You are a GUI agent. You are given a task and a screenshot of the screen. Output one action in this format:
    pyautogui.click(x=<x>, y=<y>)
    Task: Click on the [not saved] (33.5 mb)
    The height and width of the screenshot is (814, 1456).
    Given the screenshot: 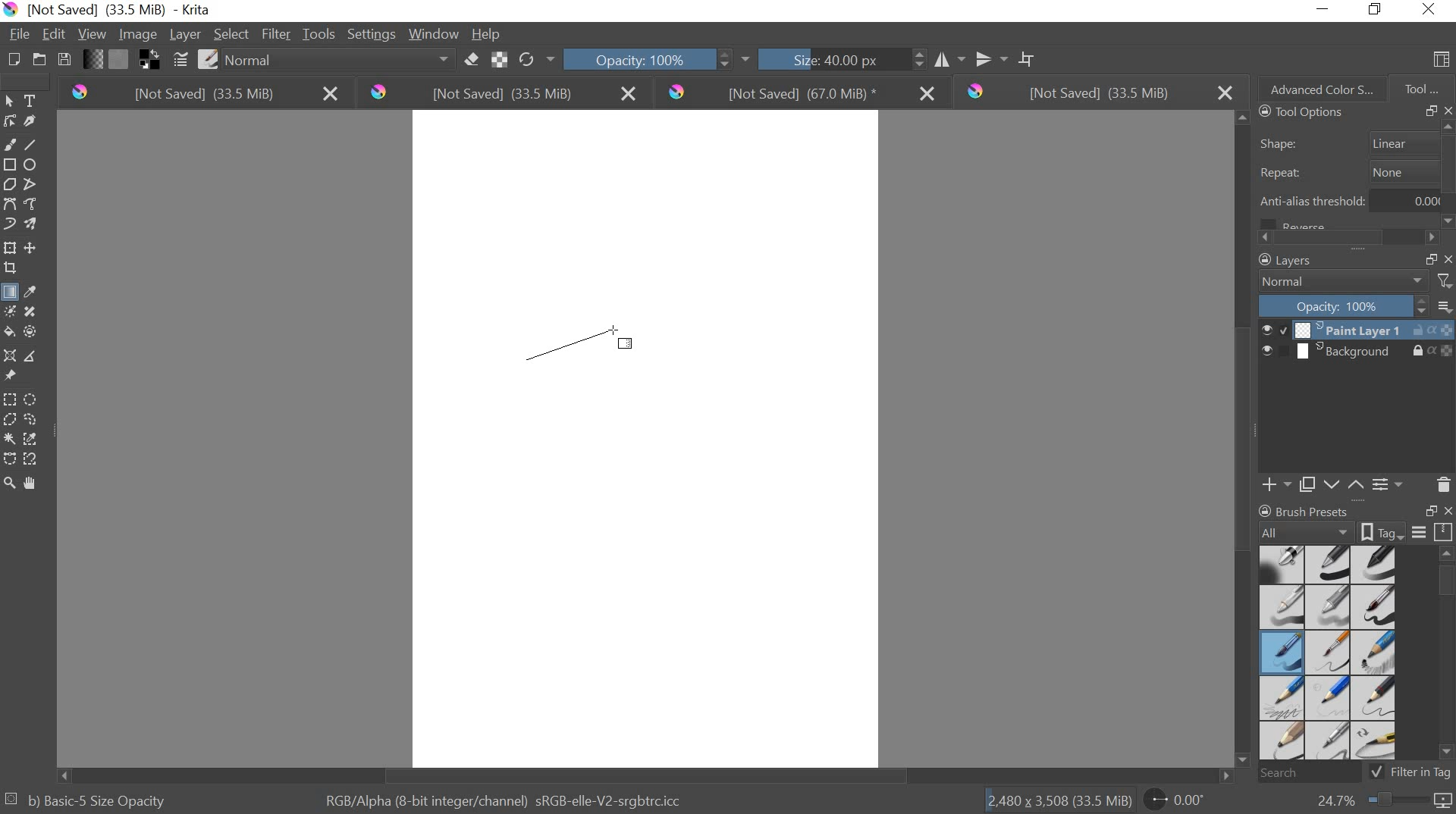 What is the action you would take?
    pyautogui.click(x=1096, y=92)
    